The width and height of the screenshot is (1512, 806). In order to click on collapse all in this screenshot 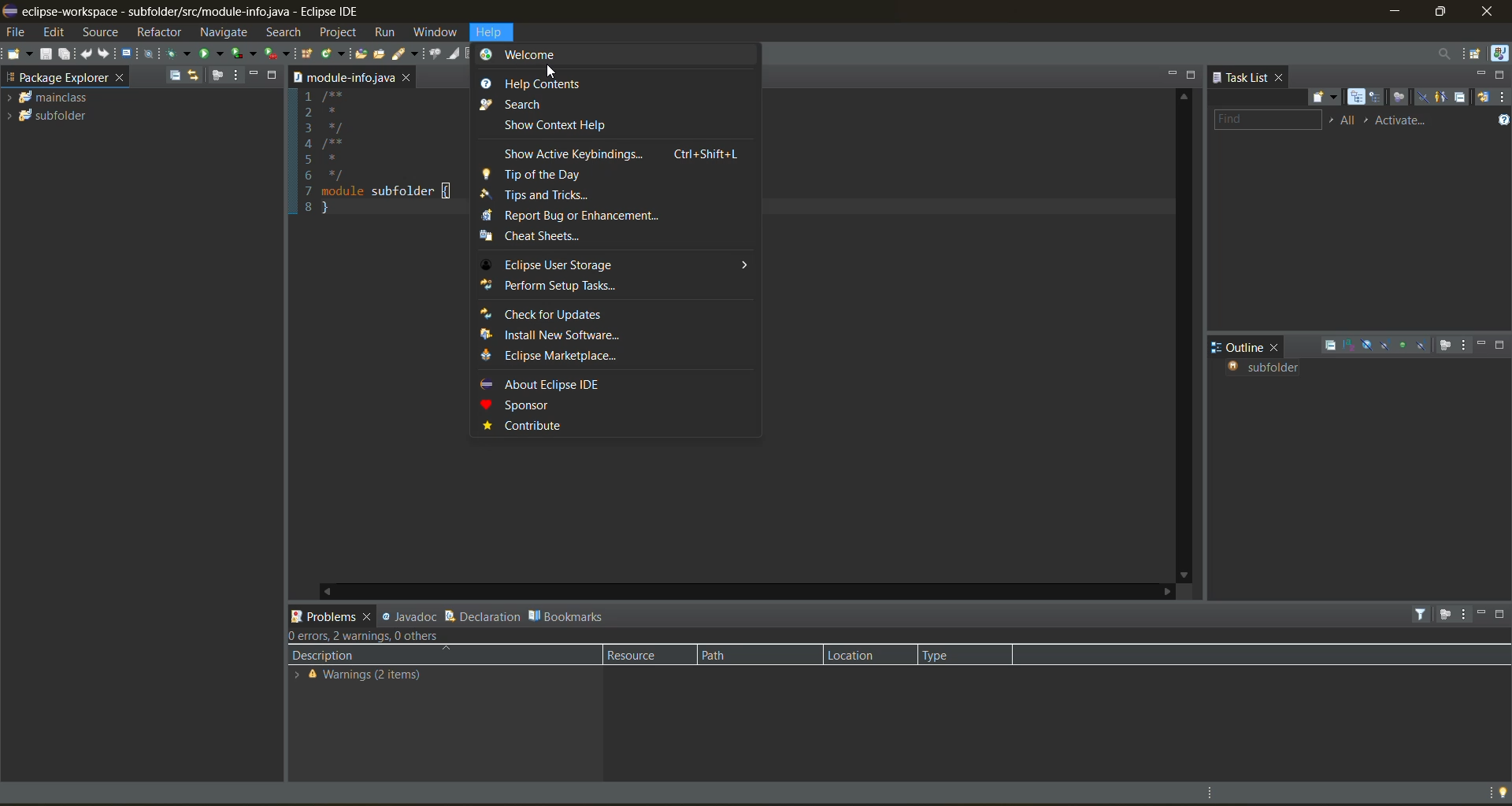, I will do `click(1464, 98)`.